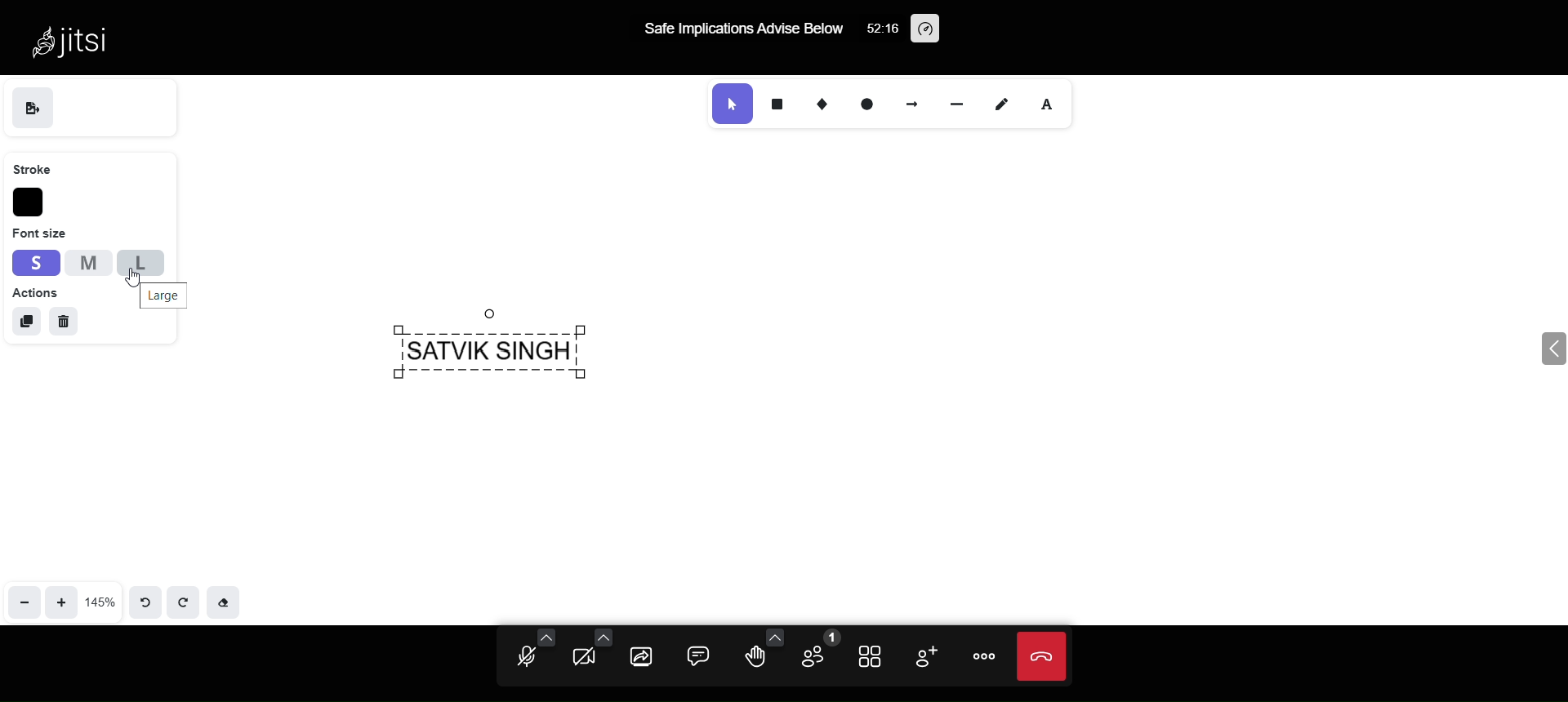 This screenshot has height=702, width=1568. What do you see at coordinates (979, 657) in the screenshot?
I see `more actions` at bounding box center [979, 657].